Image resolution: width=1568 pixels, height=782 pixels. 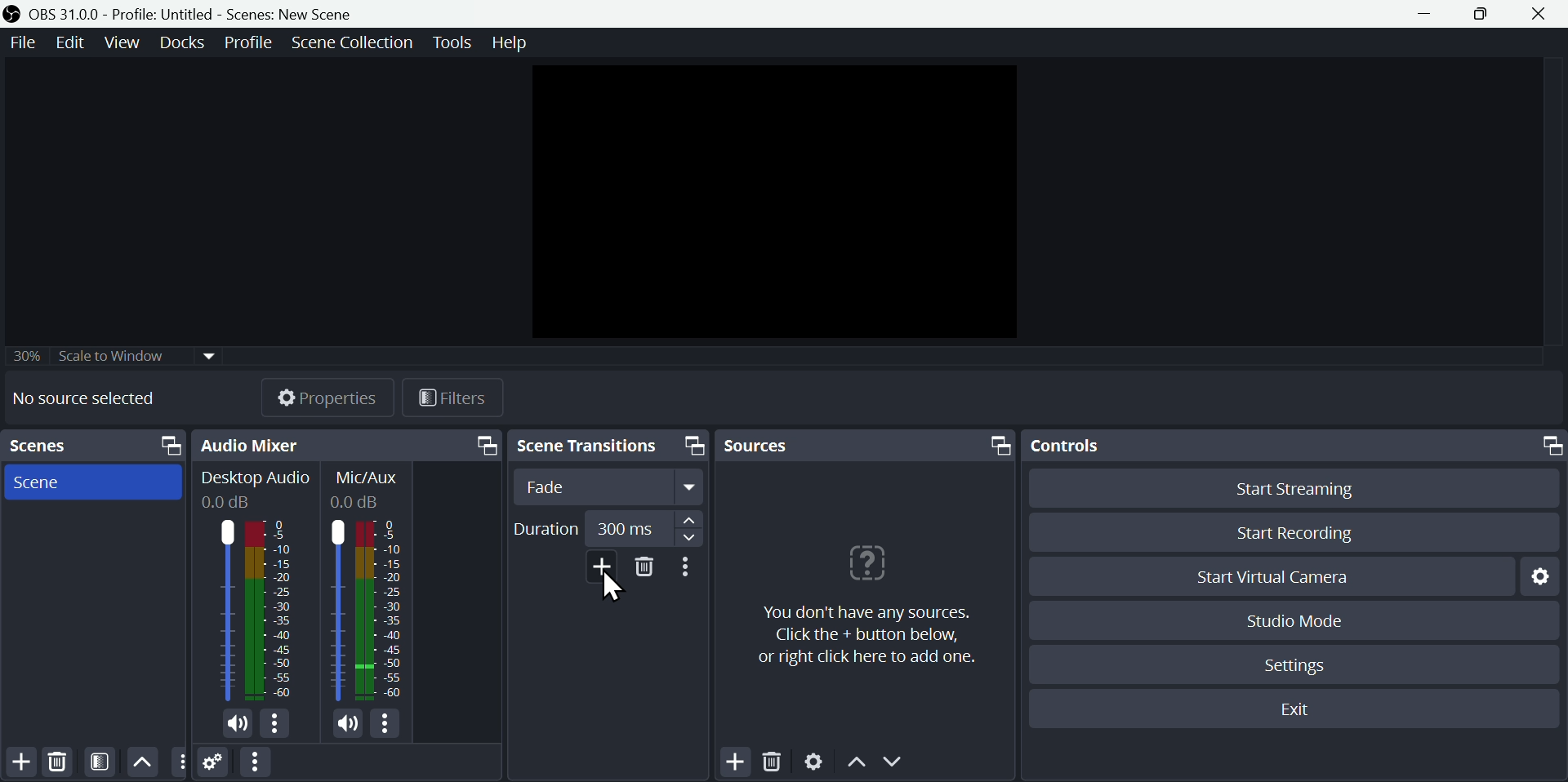 What do you see at coordinates (692, 572) in the screenshot?
I see `Options` at bounding box center [692, 572].